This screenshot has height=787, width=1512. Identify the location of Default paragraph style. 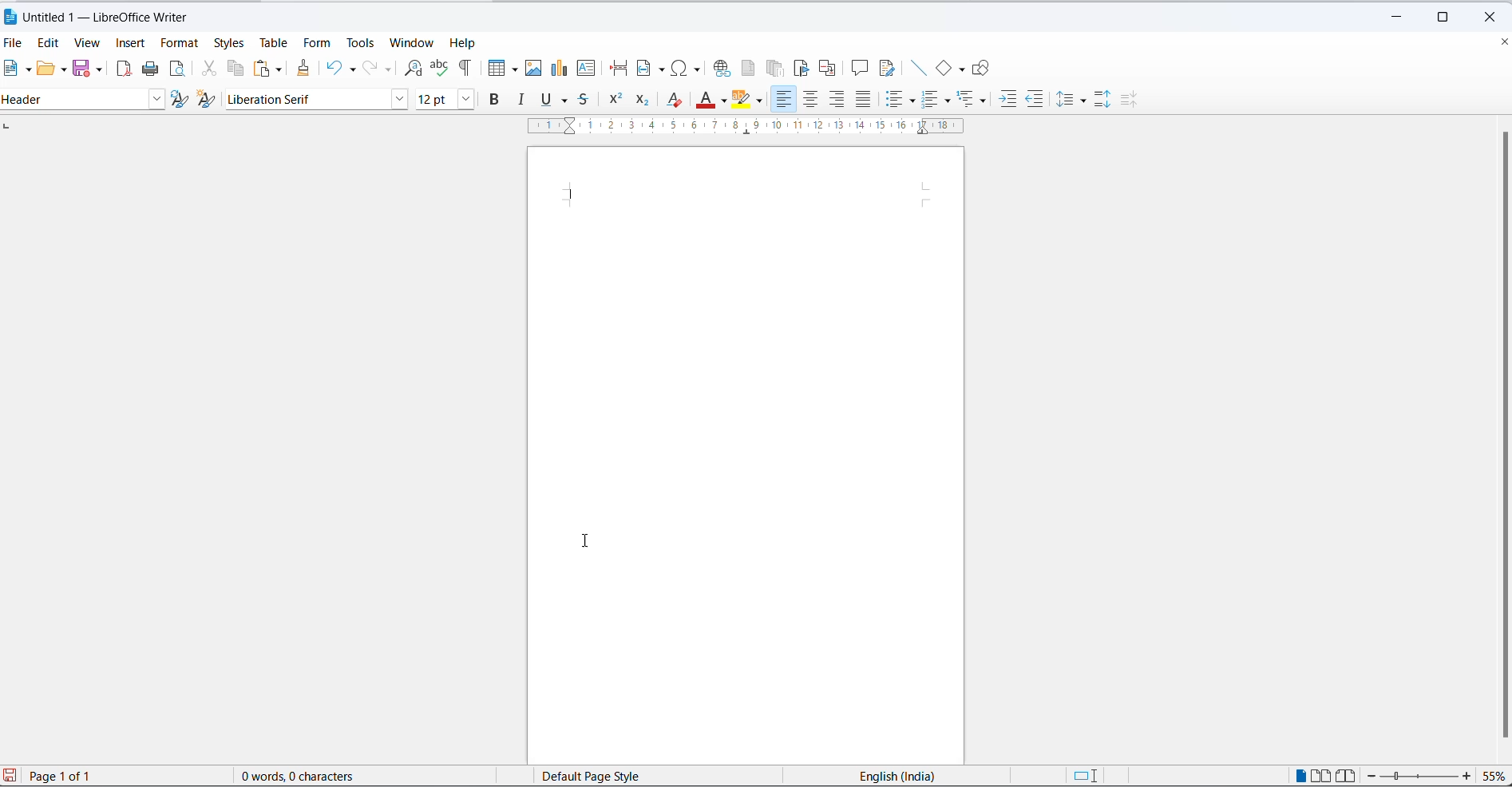
(76, 99).